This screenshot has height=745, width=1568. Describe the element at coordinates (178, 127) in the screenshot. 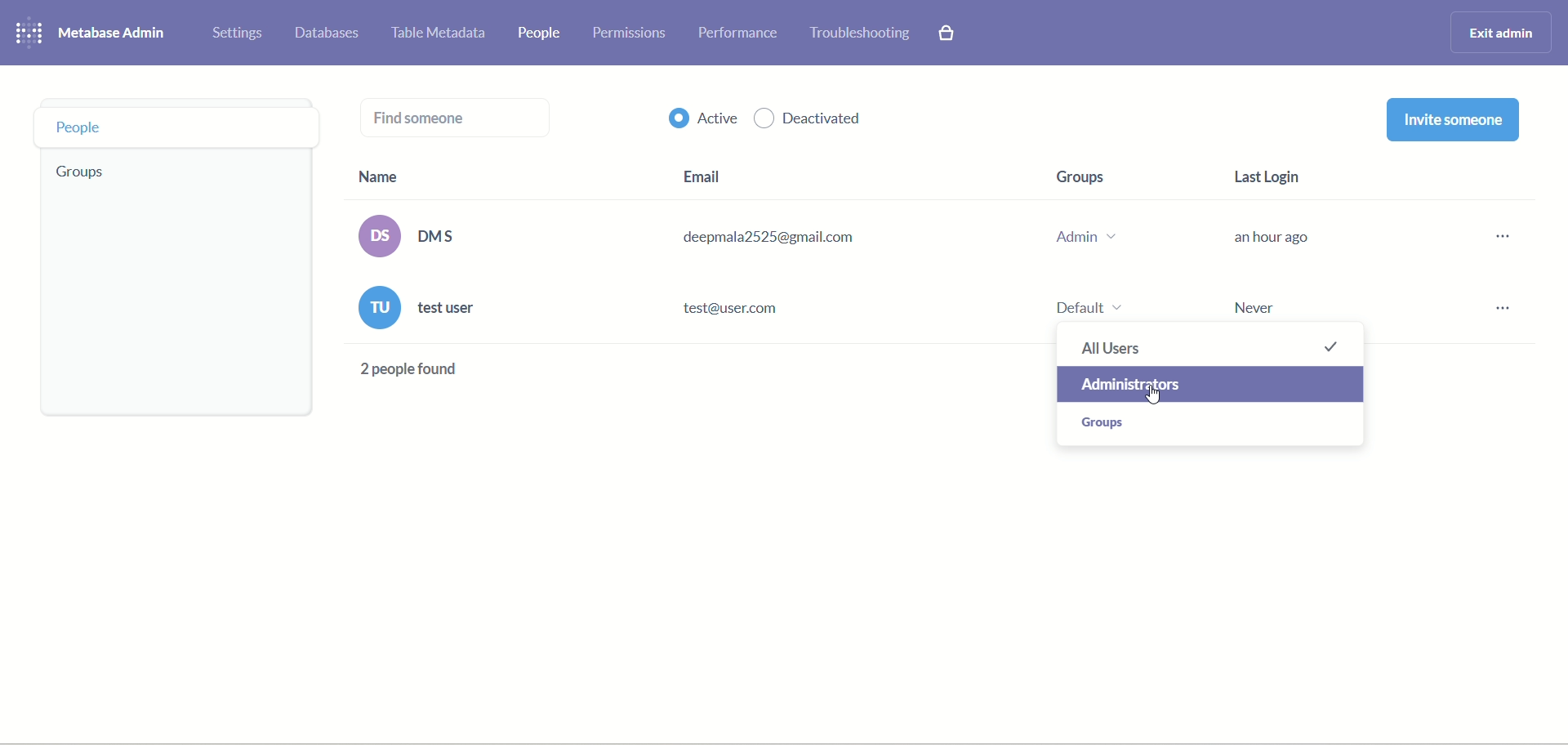

I see `people` at that location.